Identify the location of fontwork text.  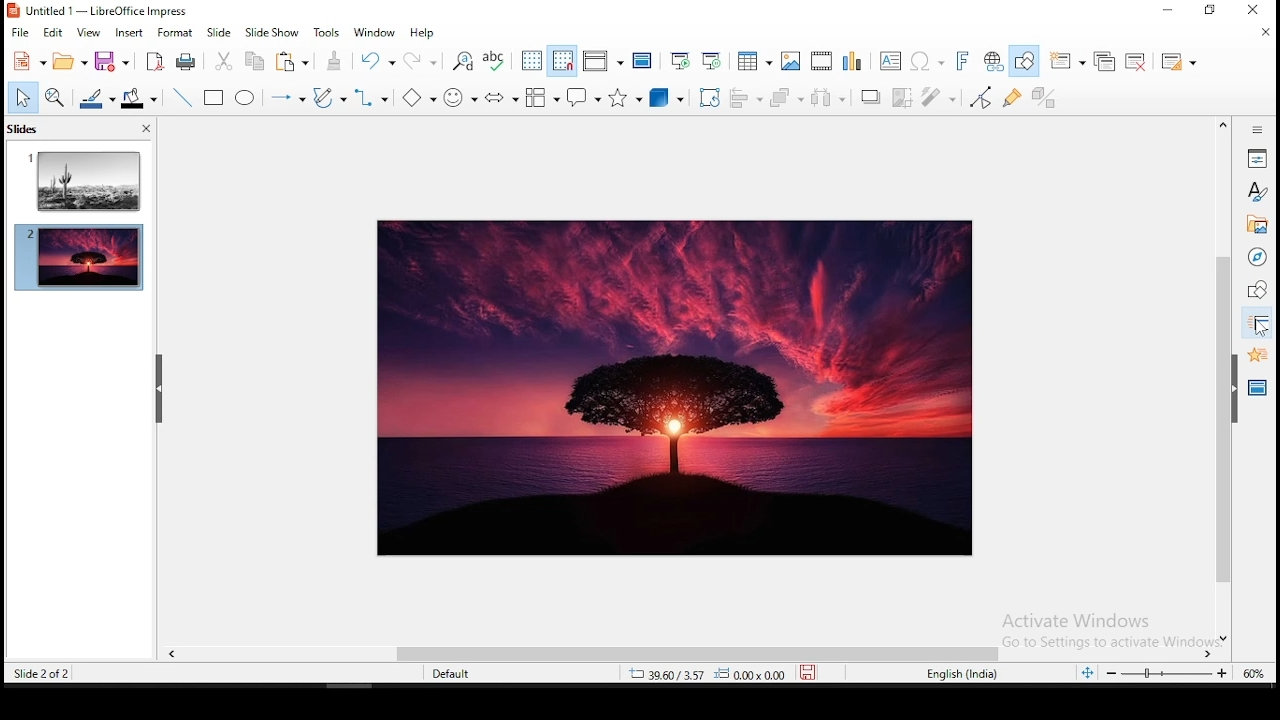
(961, 61).